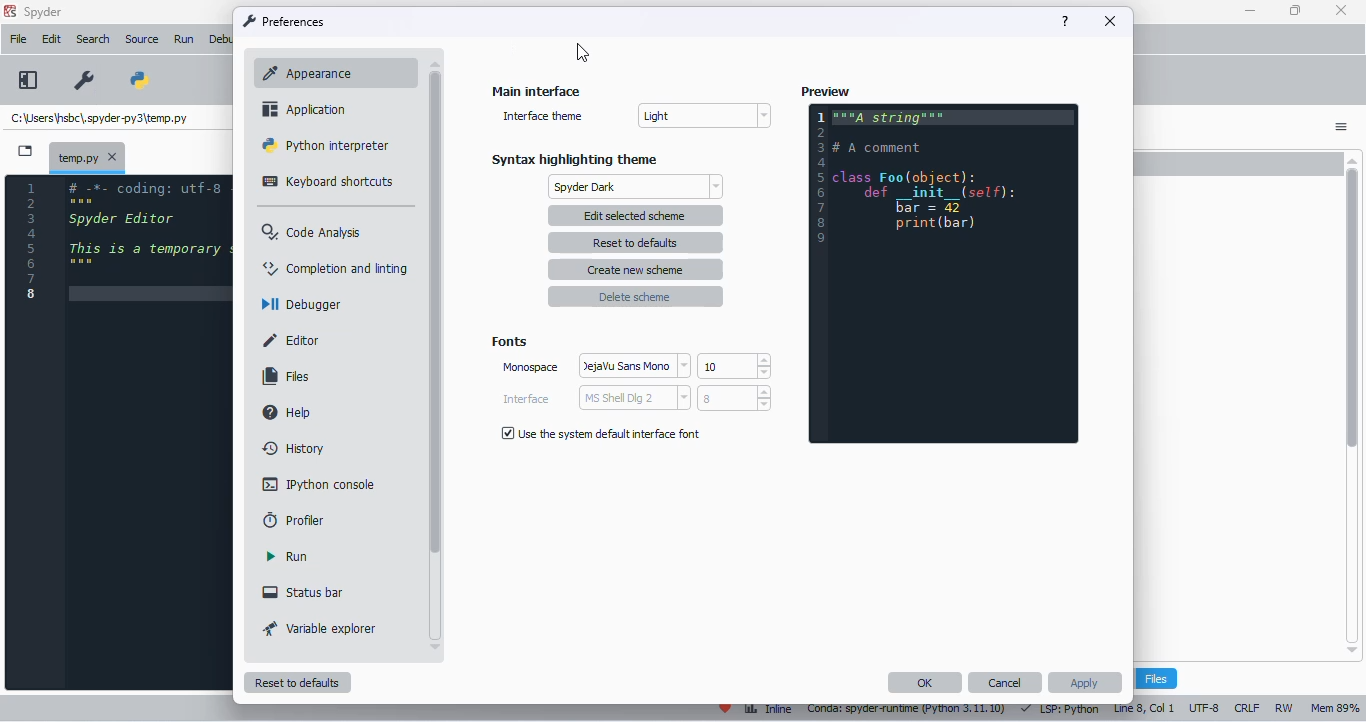 This screenshot has height=722, width=1366. What do you see at coordinates (636, 216) in the screenshot?
I see `edit selected scheme` at bounding box center [636, 216].